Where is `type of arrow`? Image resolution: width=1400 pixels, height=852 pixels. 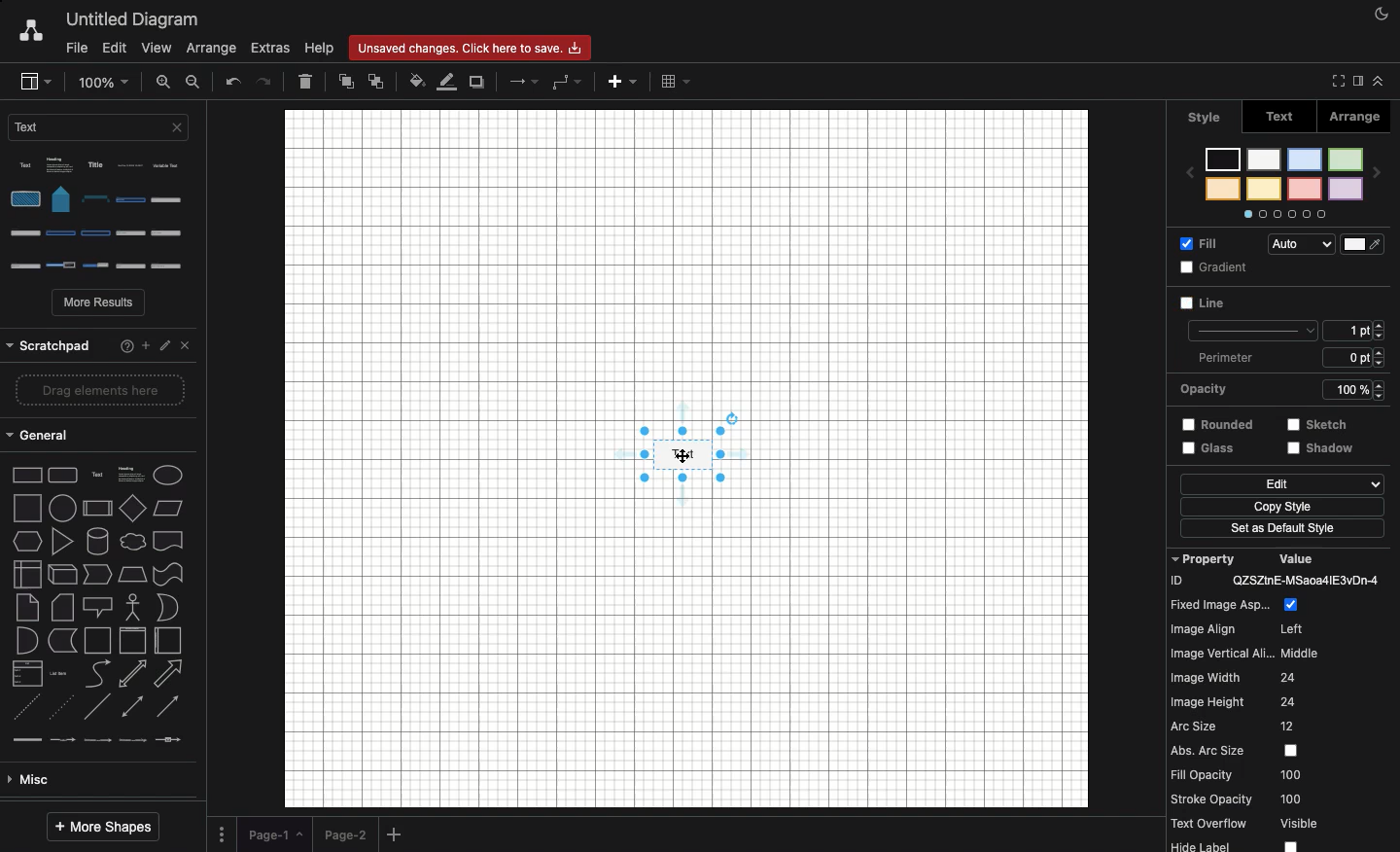 type of arrow is located at coordinates (104, 544).